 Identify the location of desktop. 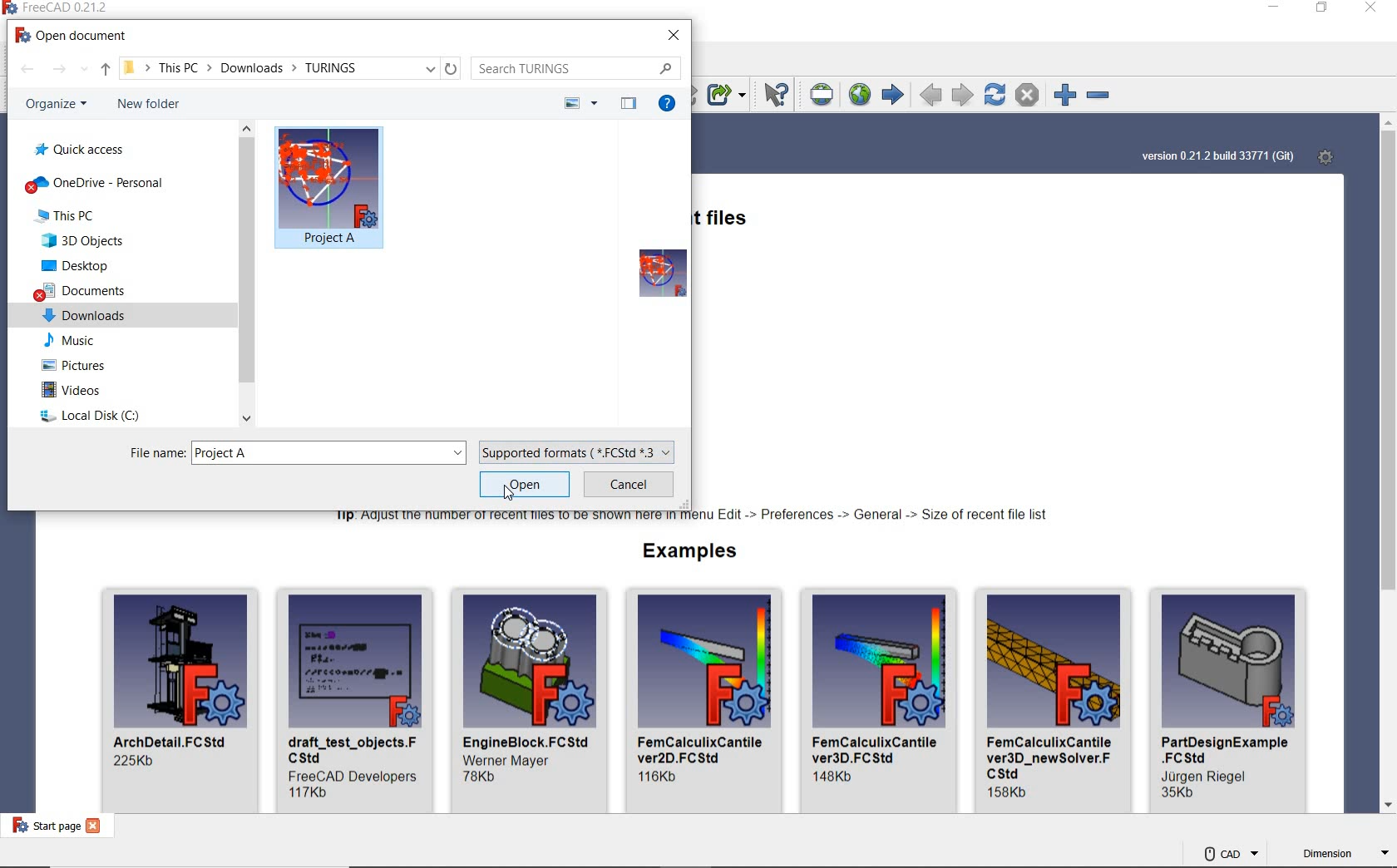
(81, 265).